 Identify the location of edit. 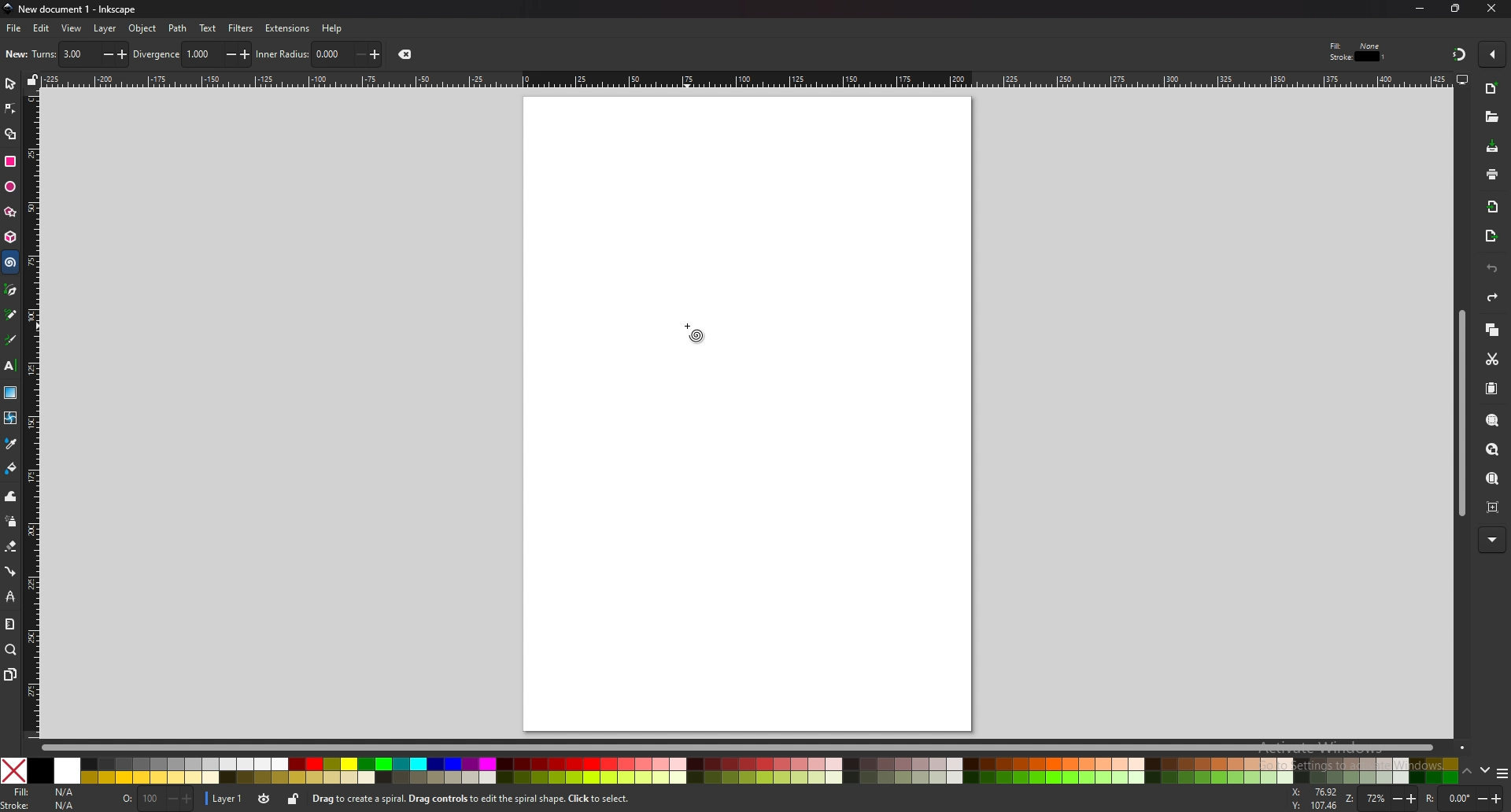
(40, 28).